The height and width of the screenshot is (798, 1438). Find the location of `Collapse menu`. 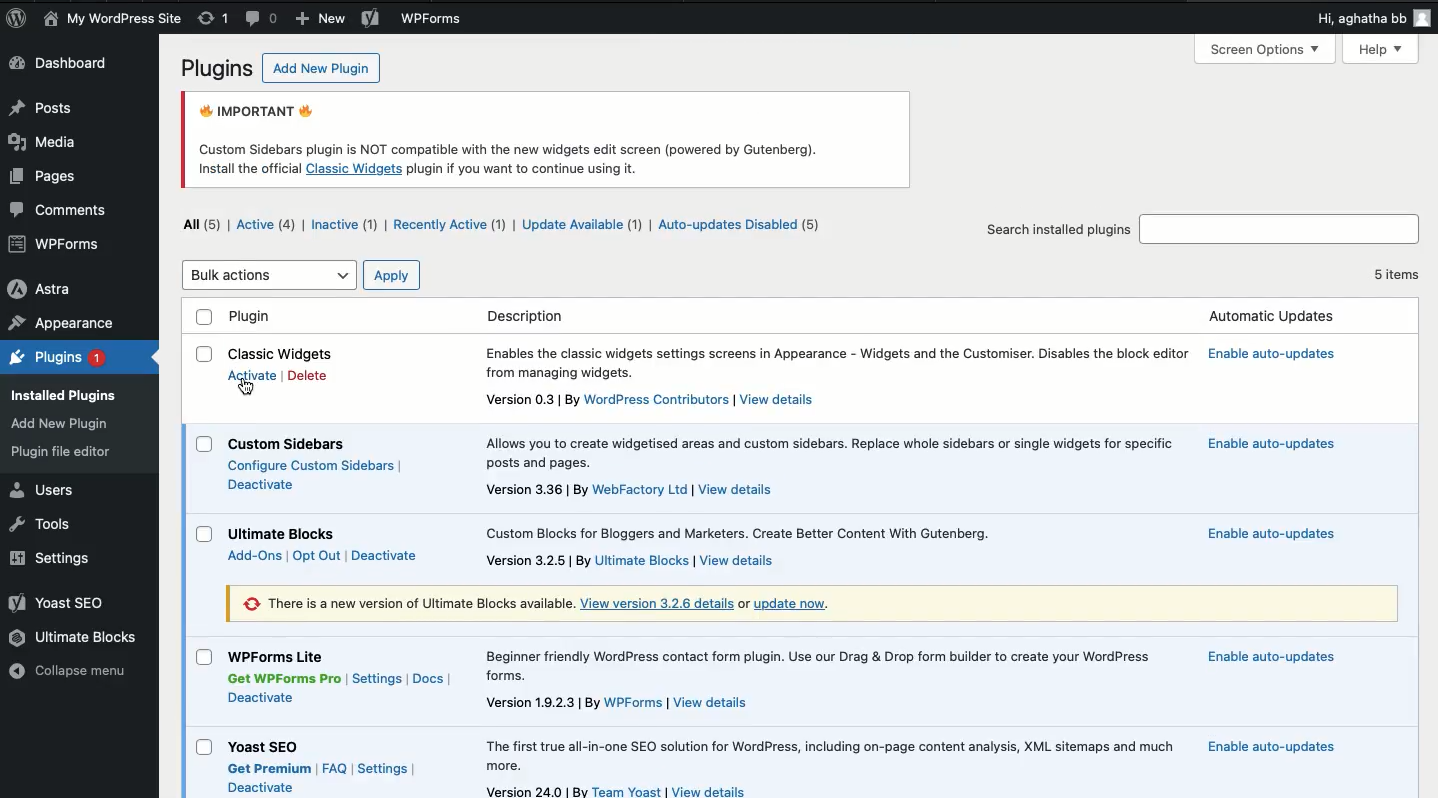

Collapse menu is located at coordinates (73, 670).